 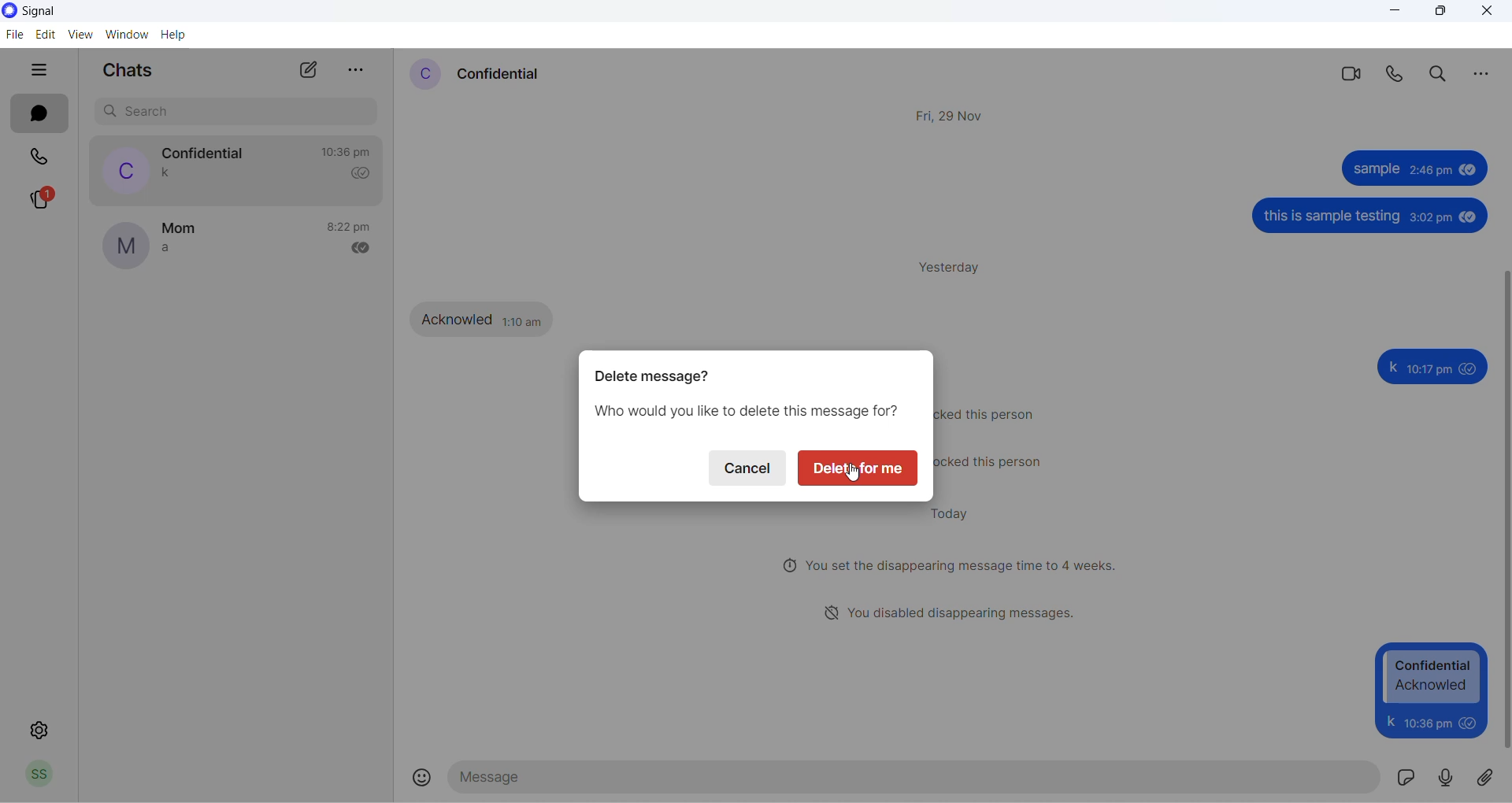 I want to click on close, so click(x=1487, y=12).